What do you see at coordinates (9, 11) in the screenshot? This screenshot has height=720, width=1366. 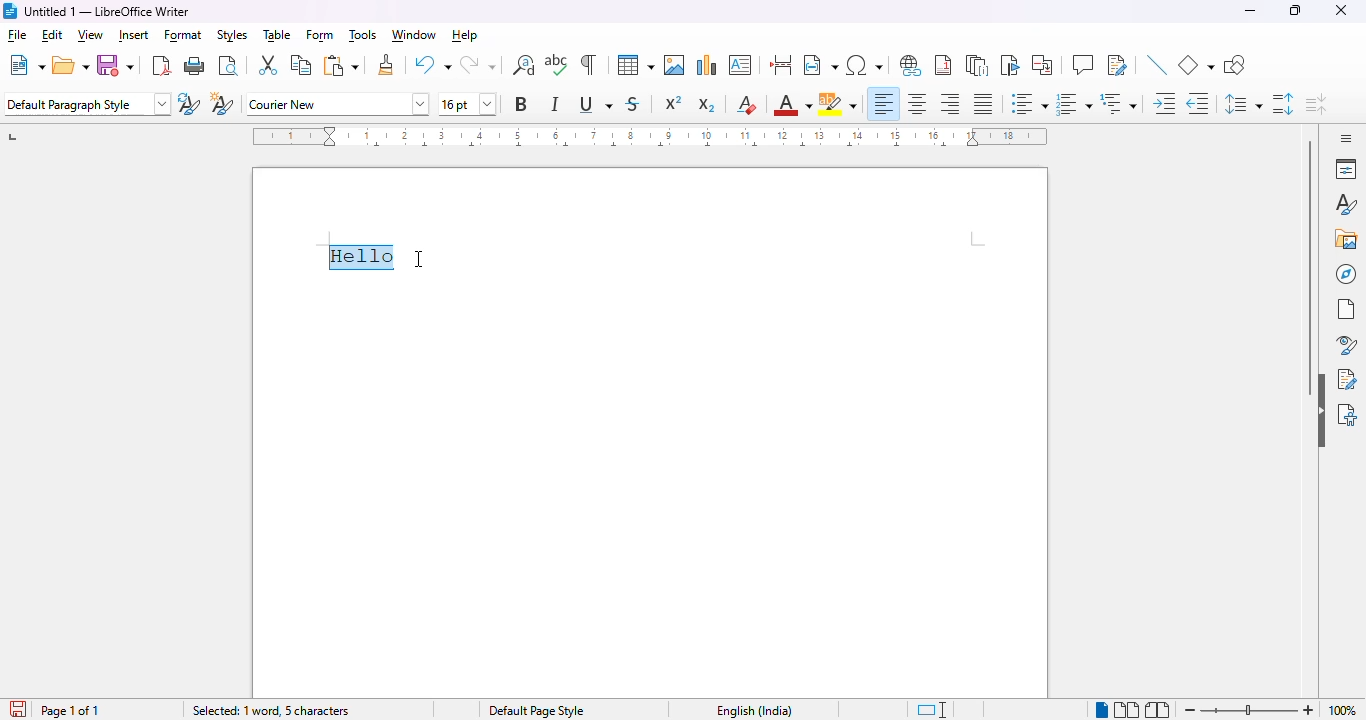 I see `Logo` at bounding box center [9, 11].